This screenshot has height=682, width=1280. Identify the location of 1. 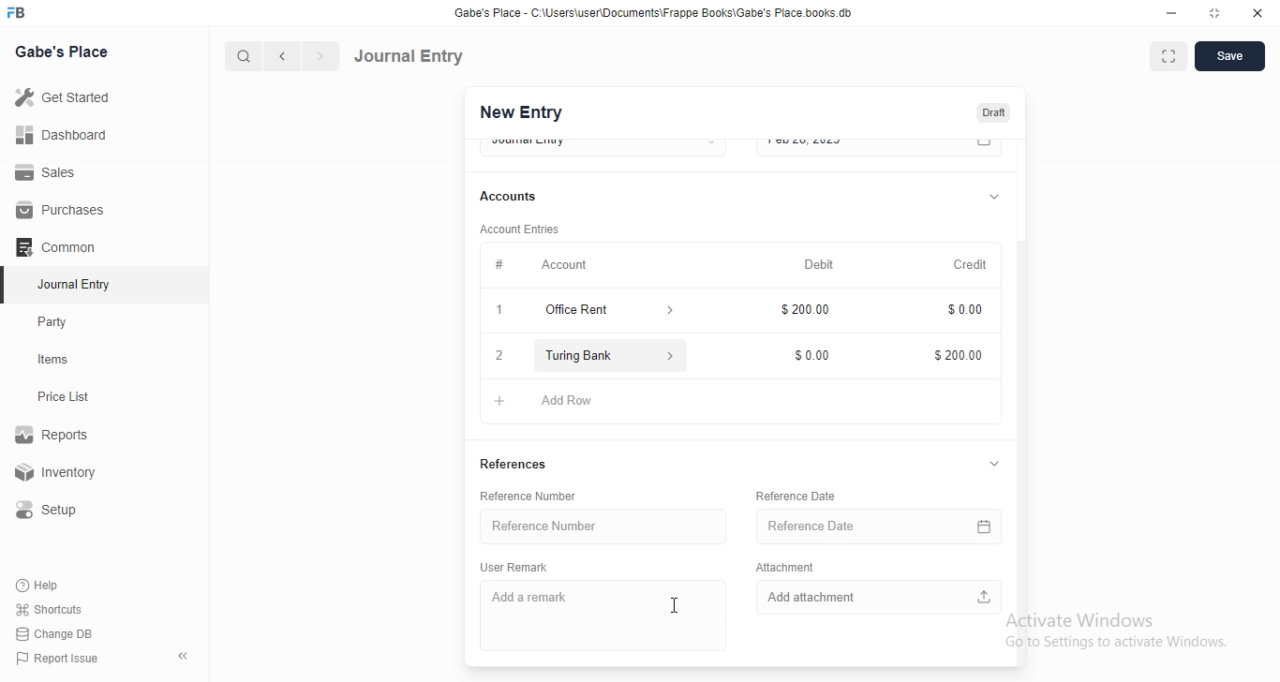
(498, 307).